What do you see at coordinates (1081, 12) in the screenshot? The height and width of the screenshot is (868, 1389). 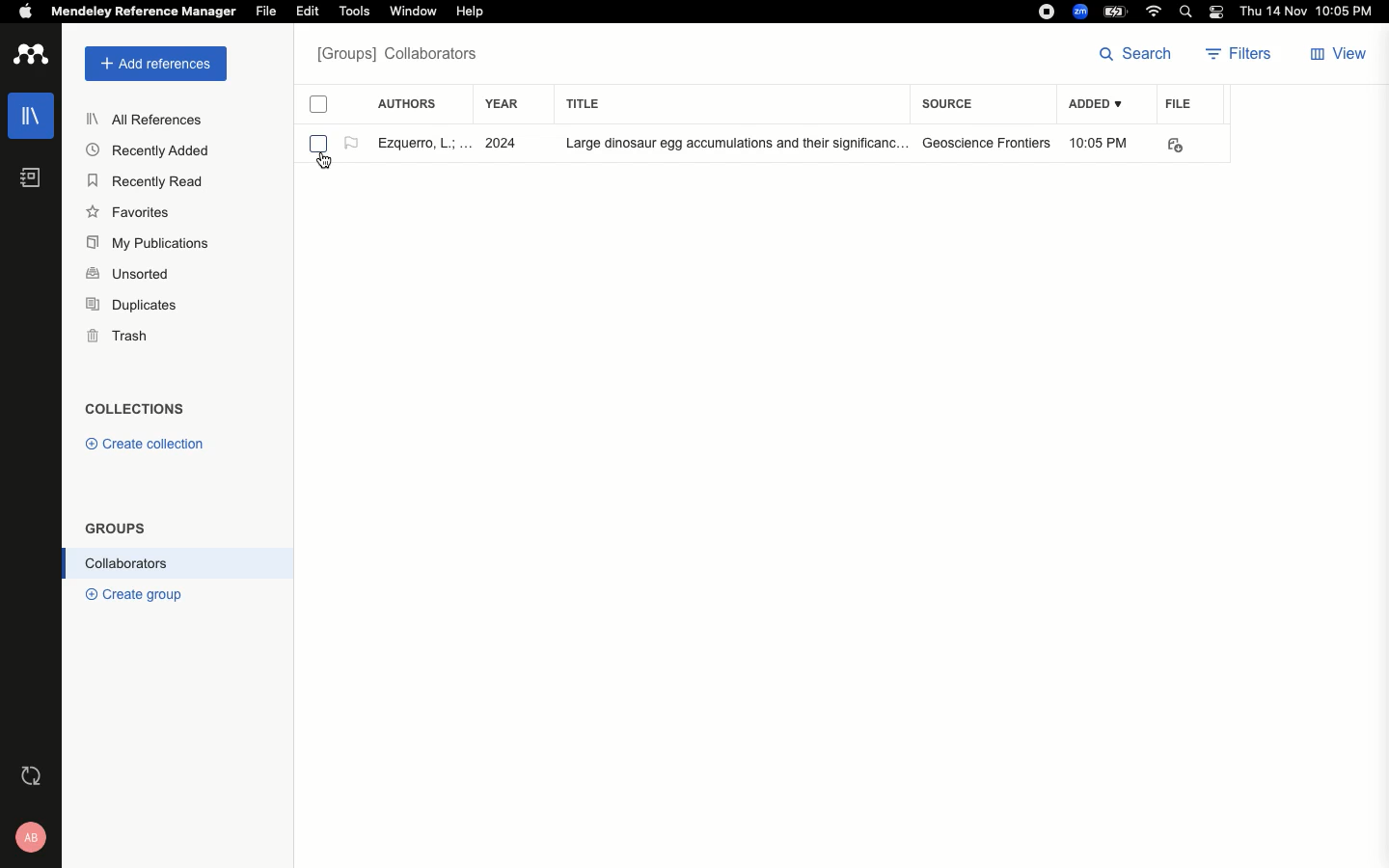 I see `Zoom` at bounding box center [1081, 12].